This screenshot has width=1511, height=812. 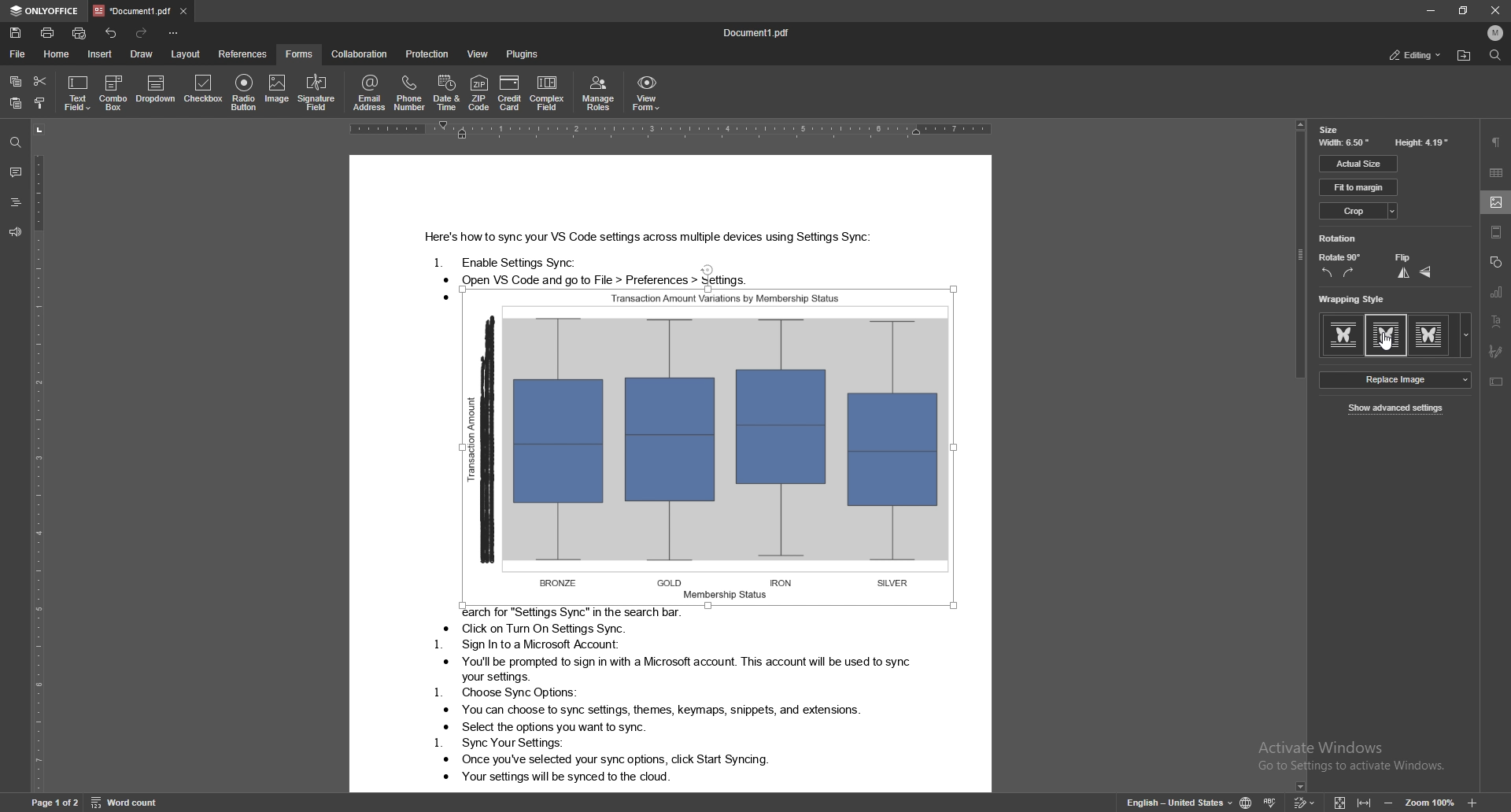 I want to click on protection, so click(x=427, y=53).